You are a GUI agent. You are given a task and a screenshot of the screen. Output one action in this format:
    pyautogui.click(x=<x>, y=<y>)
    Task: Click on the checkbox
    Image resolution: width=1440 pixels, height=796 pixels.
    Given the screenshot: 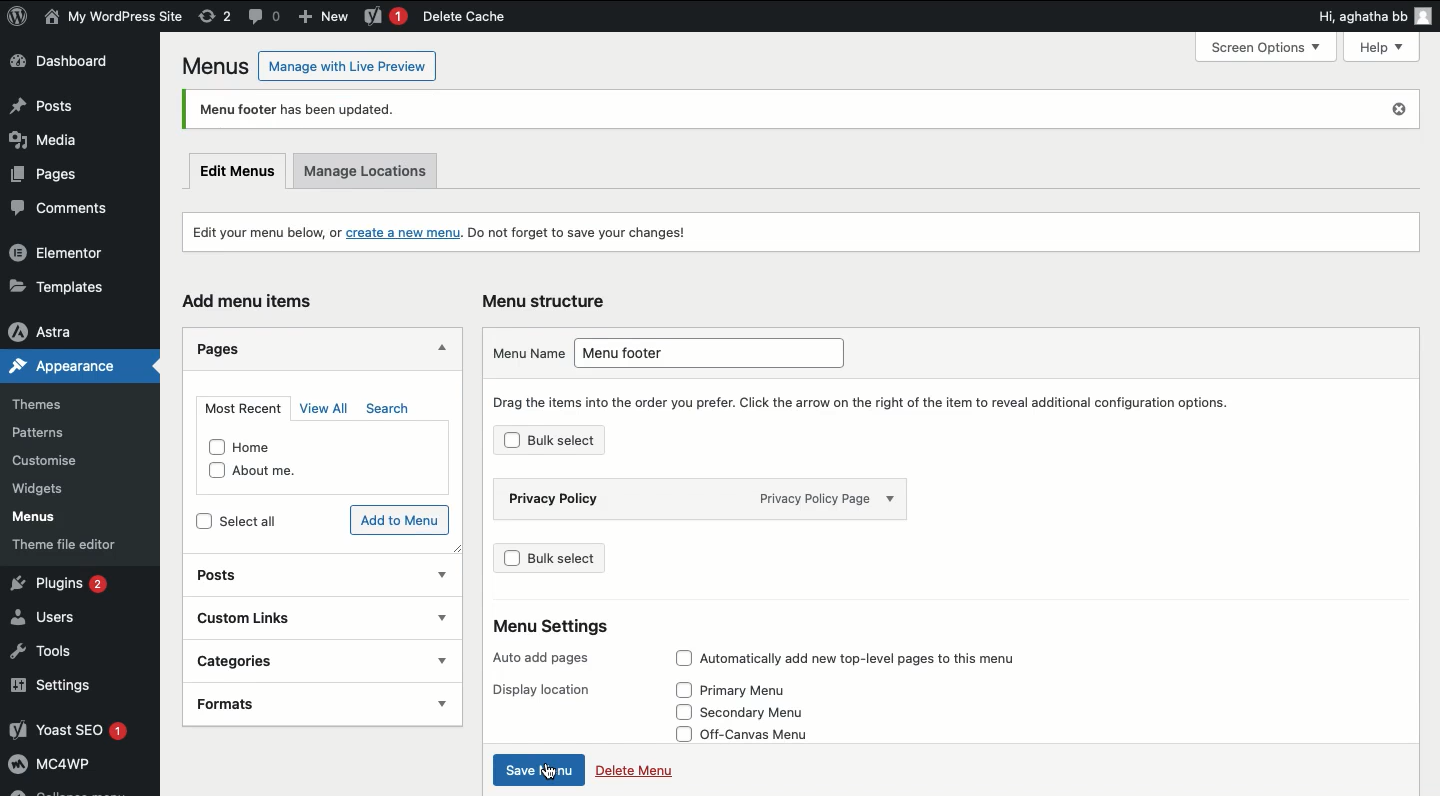 What is the action you would take?
    pyautogui.click(x=197, y=520)
    